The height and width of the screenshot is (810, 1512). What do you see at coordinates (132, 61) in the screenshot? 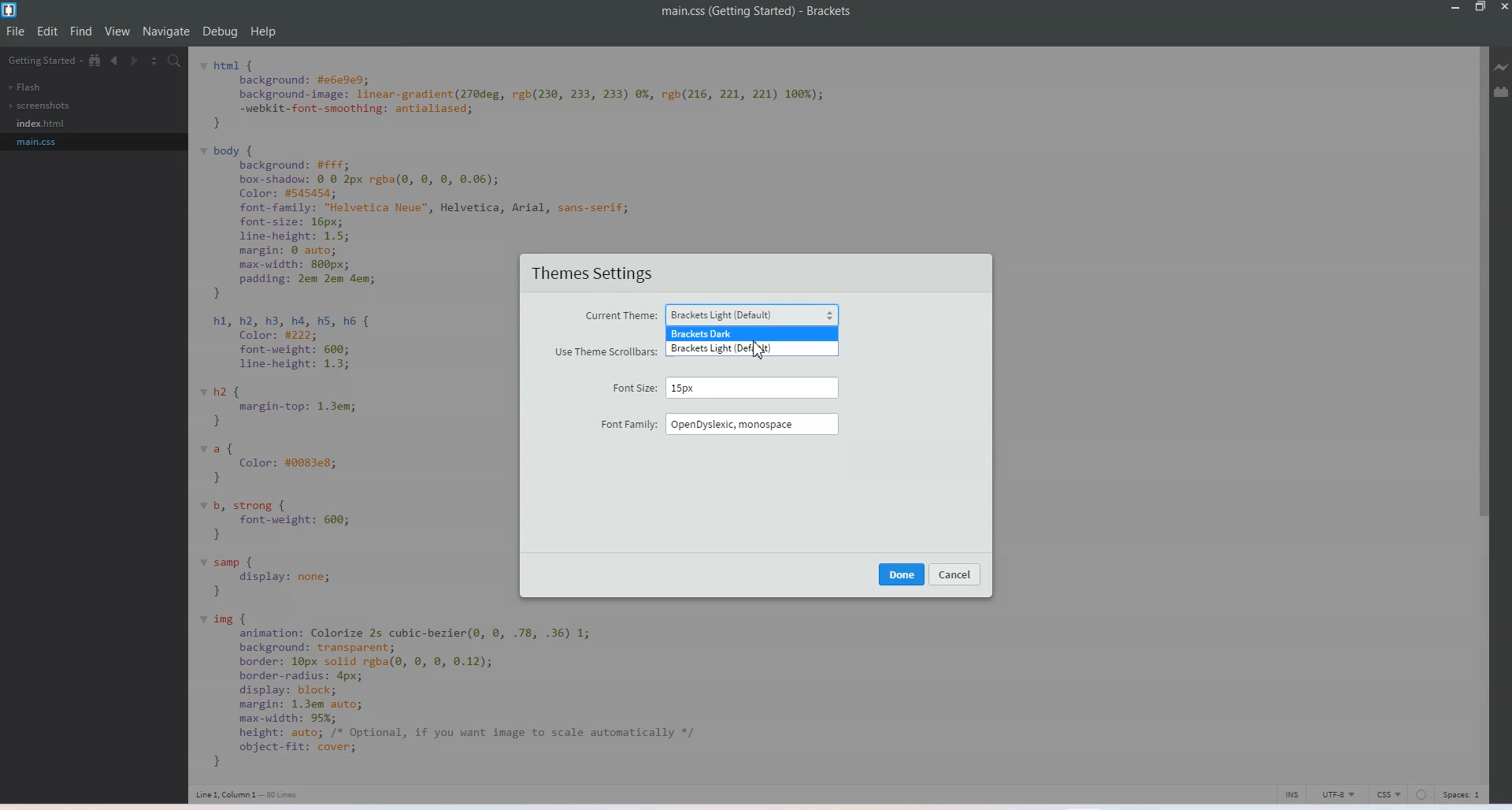
I see `Navigate Forwards` at bounding box center [132, 61].